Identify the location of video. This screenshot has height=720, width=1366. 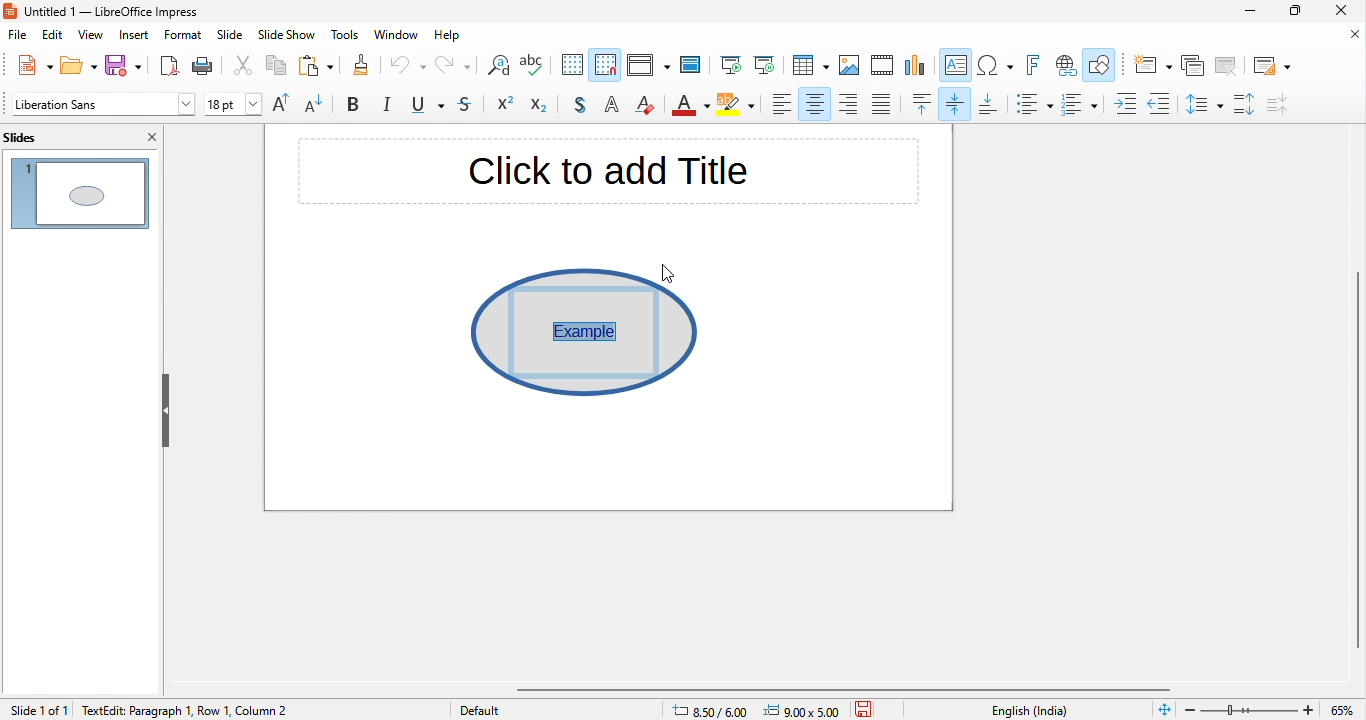
(883, 67).